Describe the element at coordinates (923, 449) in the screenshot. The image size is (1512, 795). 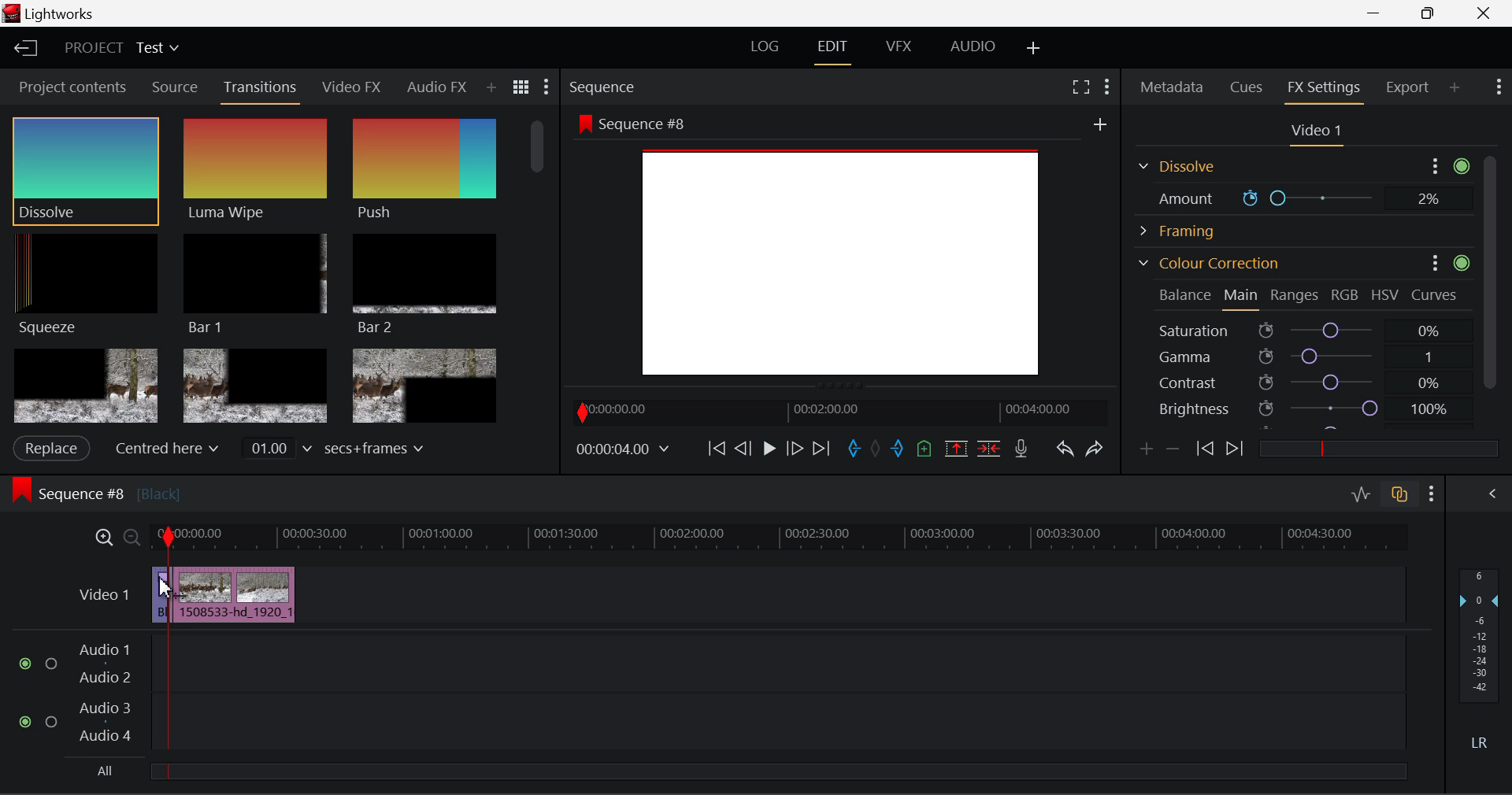
I see `Mark Cue` at that location.